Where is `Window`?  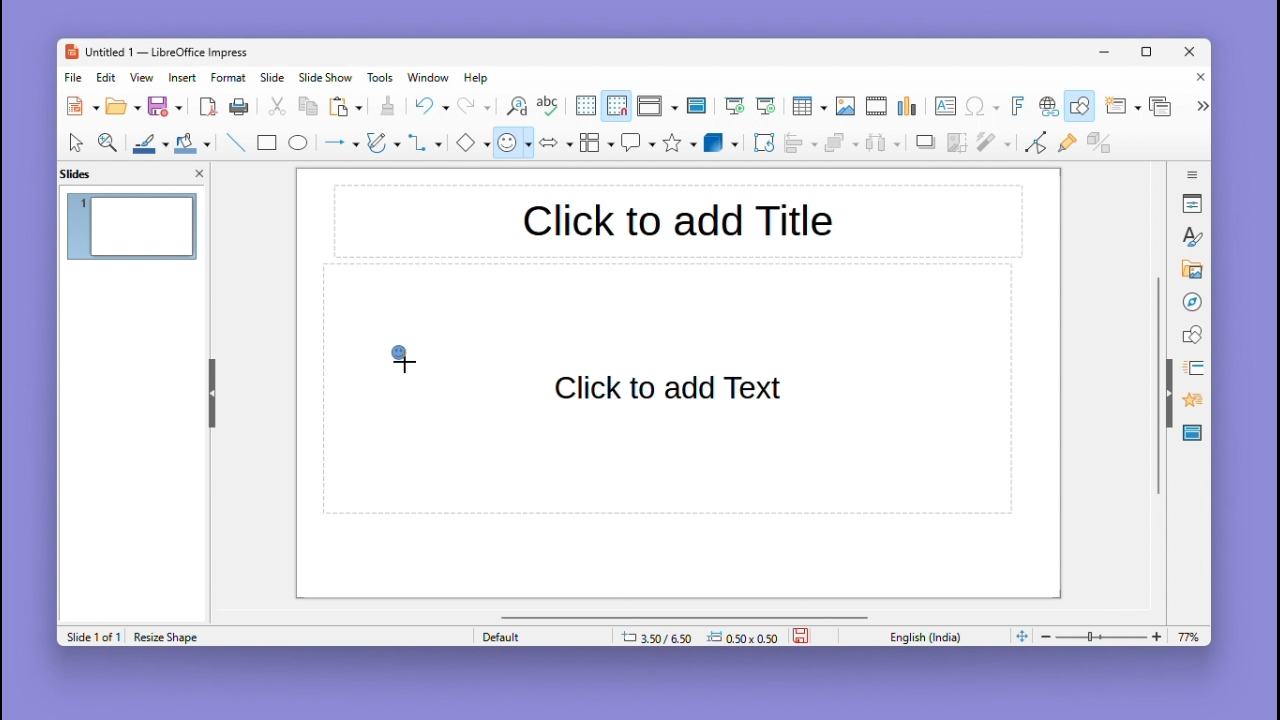
Window is located at coordinates (433, 77).